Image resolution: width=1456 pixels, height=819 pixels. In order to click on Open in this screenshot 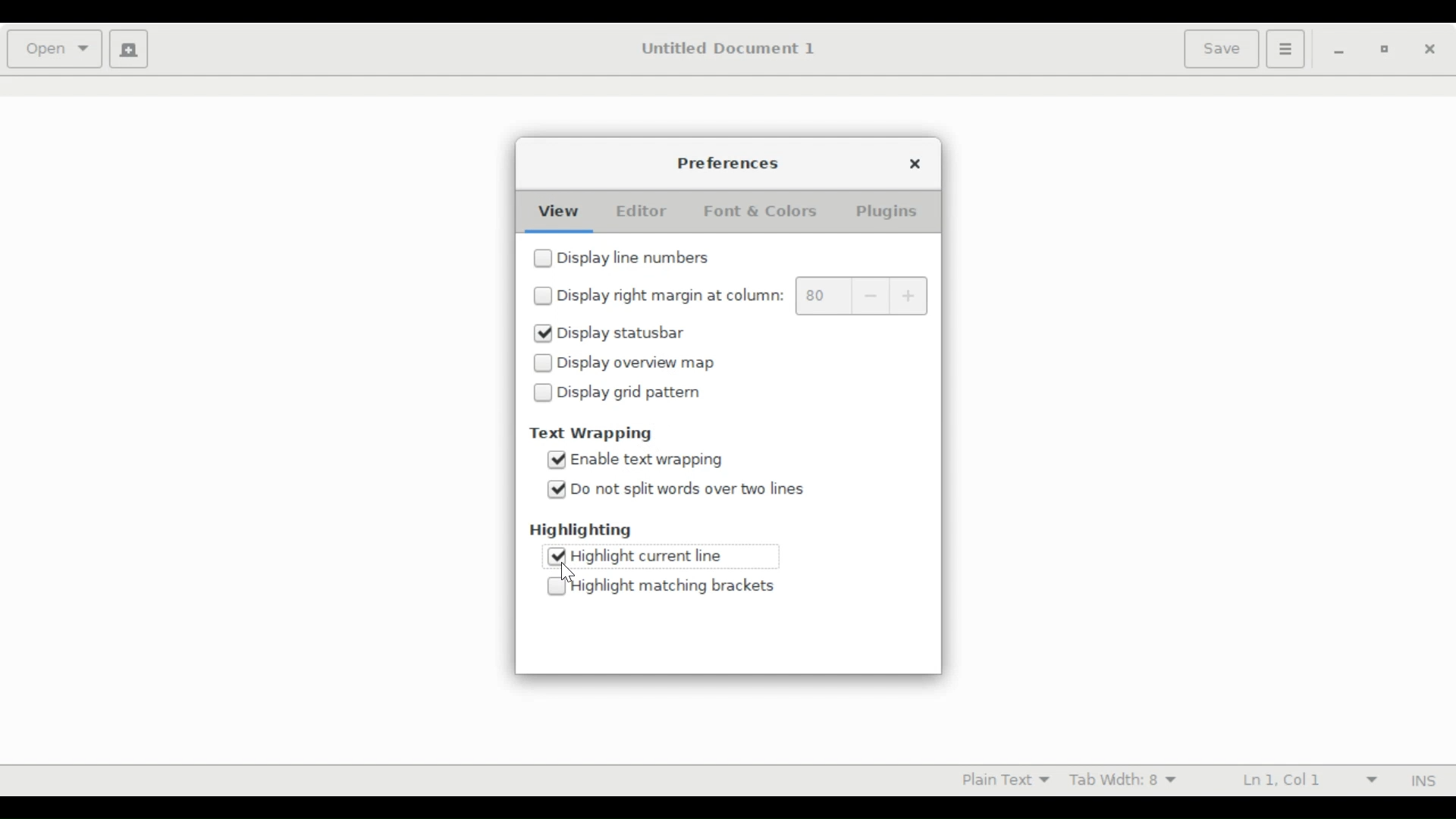, I will do `click(52, 48)`.